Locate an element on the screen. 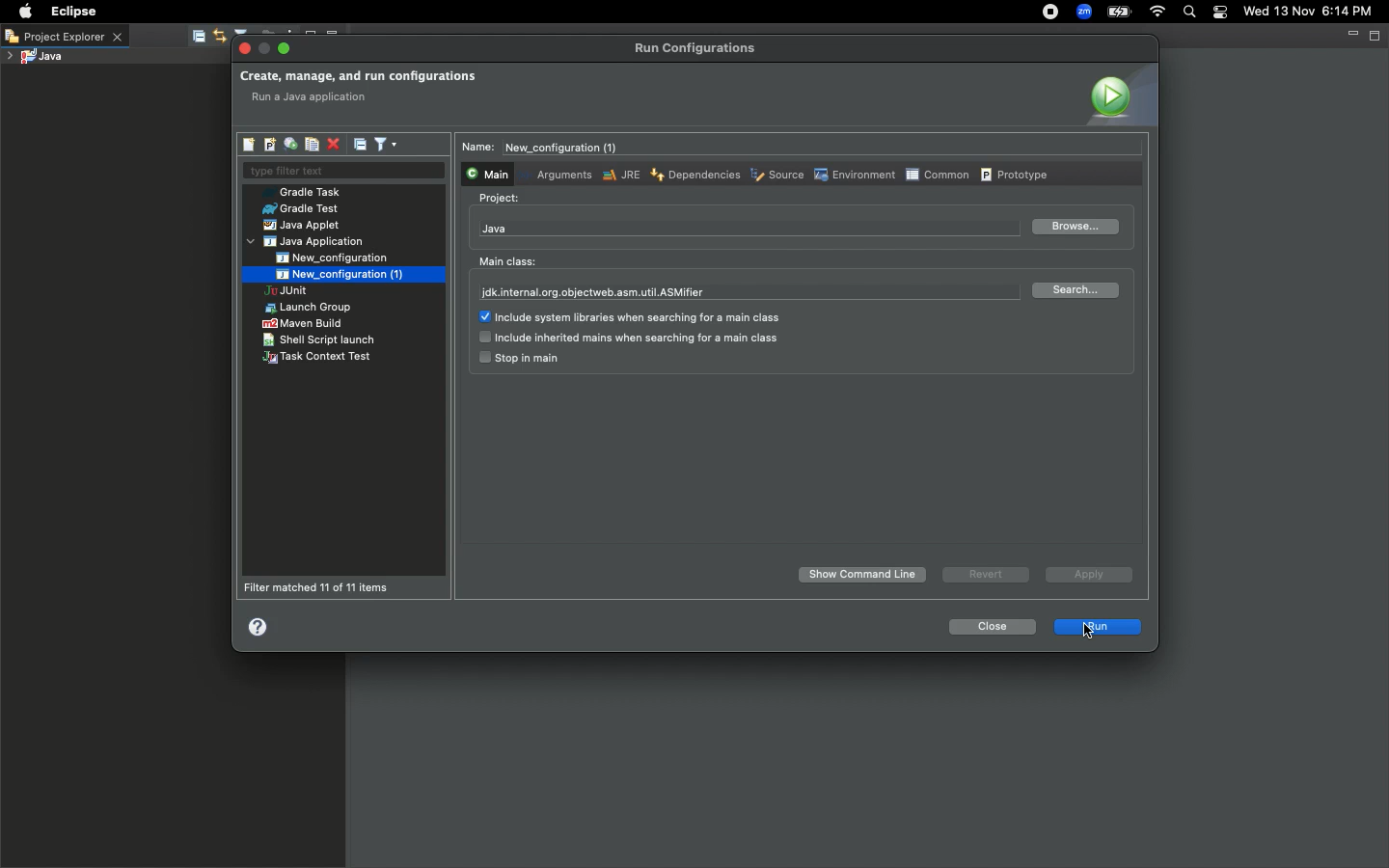 Image resolution: width=1389 pixels, height=868 pixels. Charge is located at coordinates (1119, 14).